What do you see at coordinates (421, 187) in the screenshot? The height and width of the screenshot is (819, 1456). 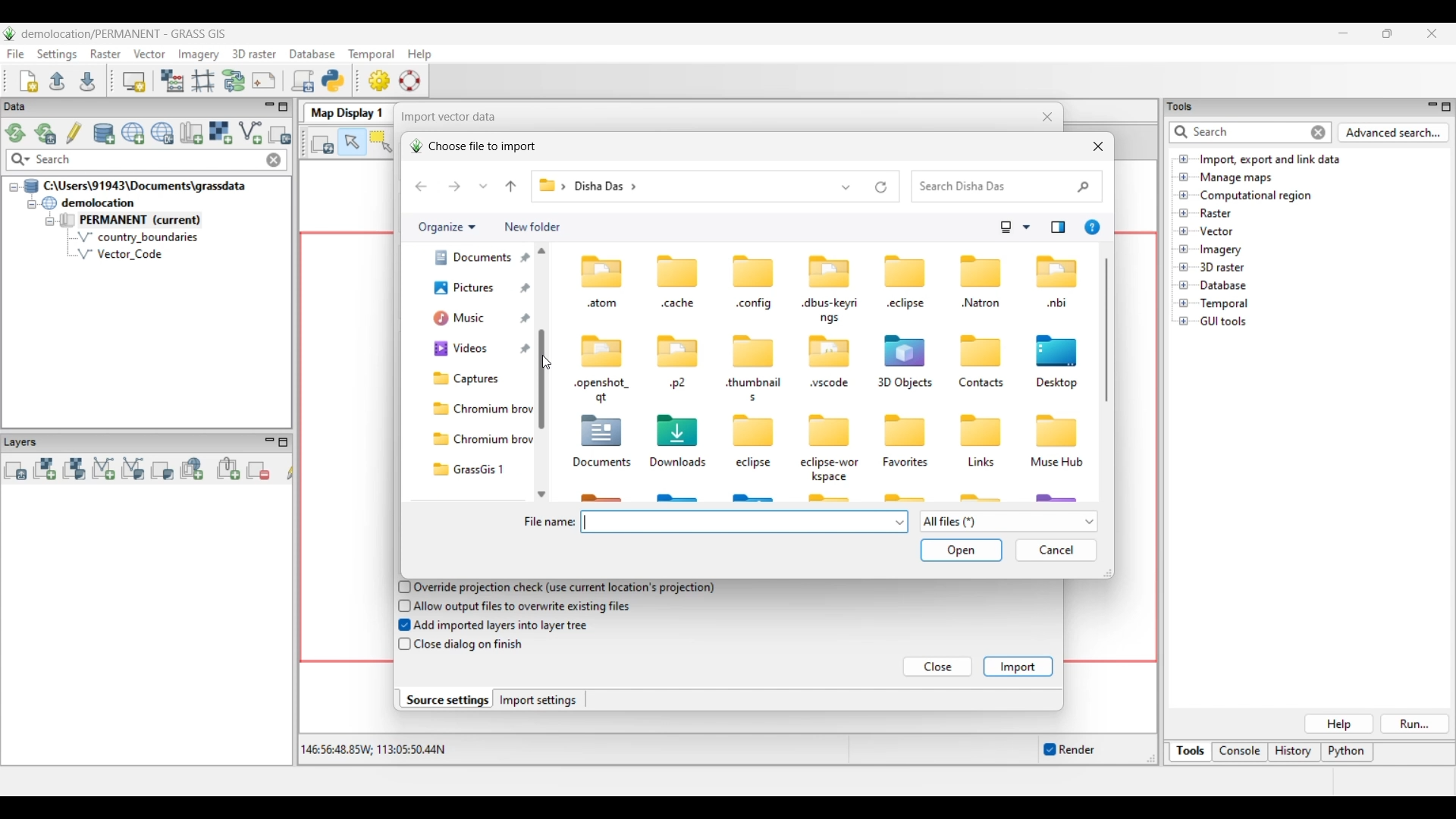 I see `Go back` at bounding box center [421, 187].